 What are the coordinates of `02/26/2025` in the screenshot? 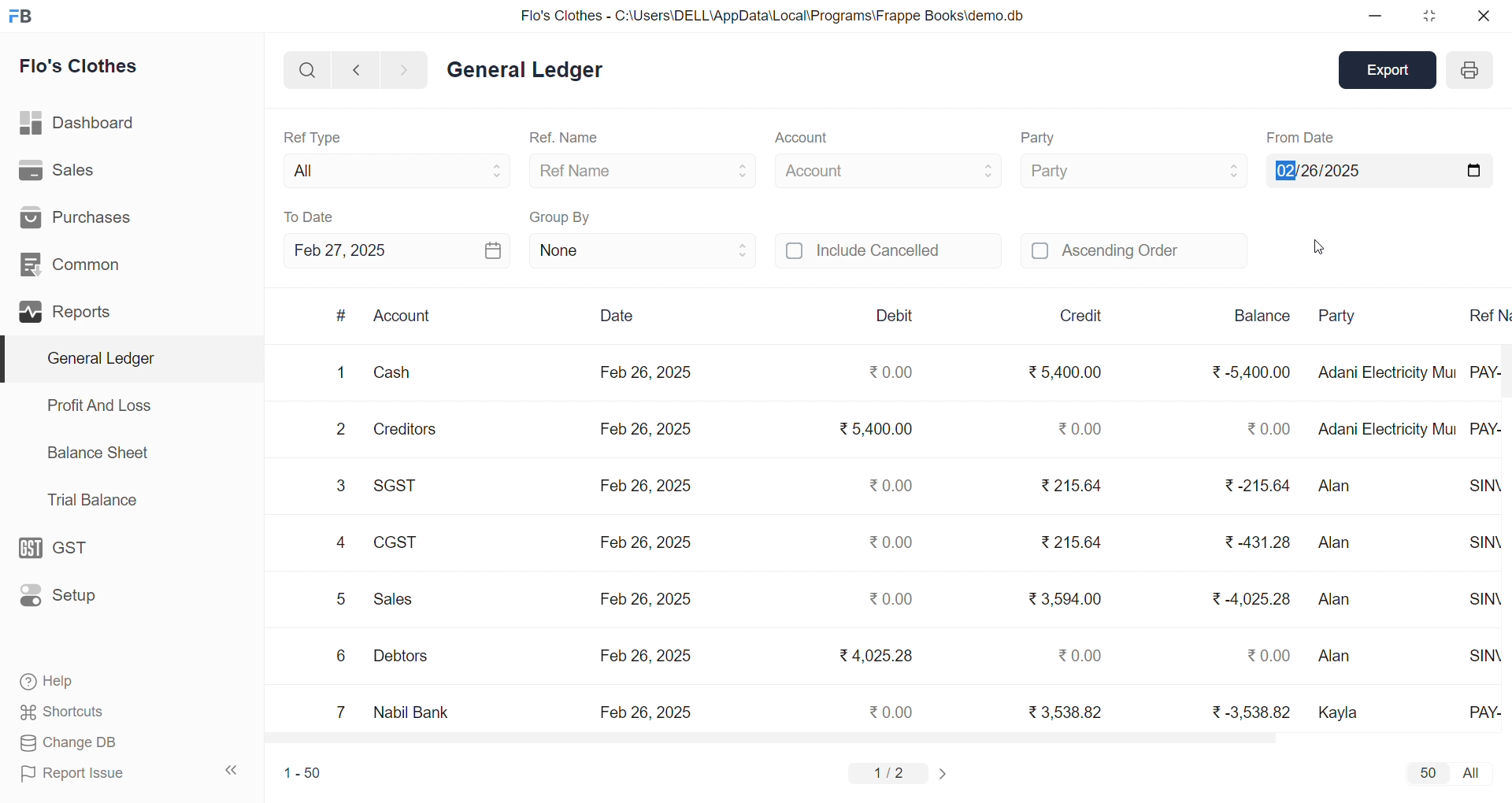 It's located at (1378, 168).